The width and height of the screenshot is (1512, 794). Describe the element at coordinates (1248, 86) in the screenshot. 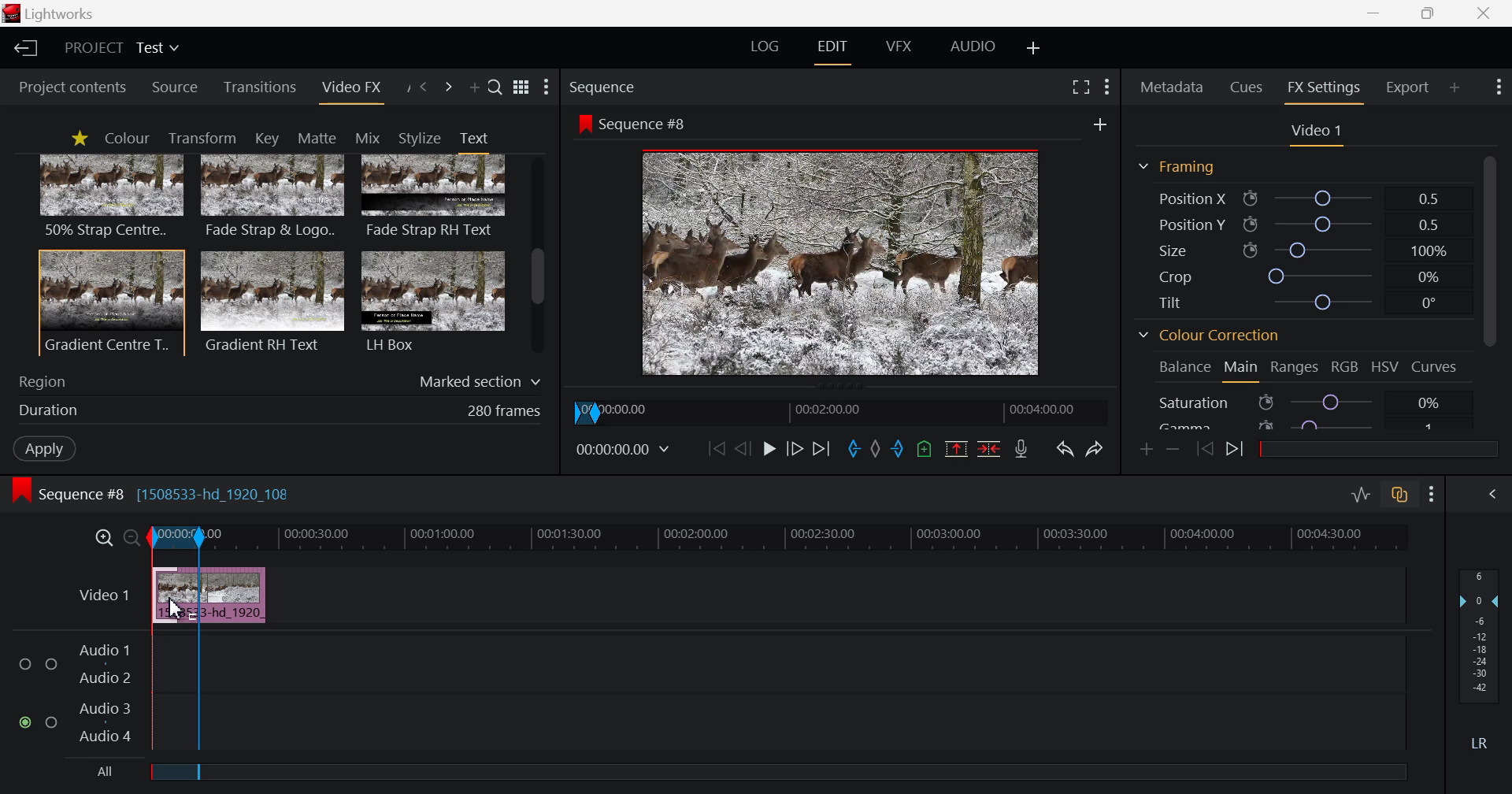

I see `Cues` at that location.